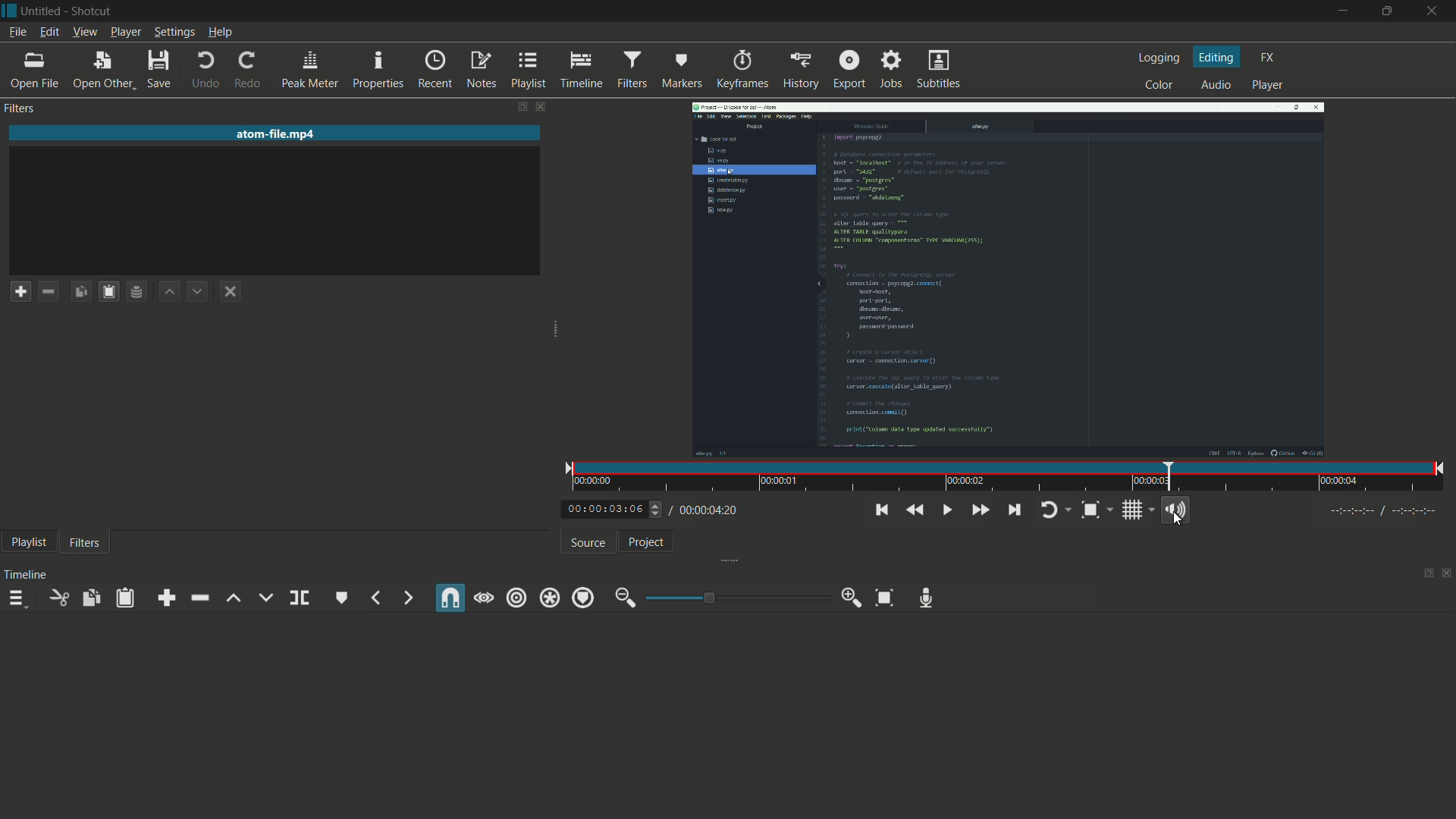 The height and width of the screenshot is (819, 1456). Describe the element at coordinates (882, 598) in the screenshot. I see `zoom timeline to fit` at that location.